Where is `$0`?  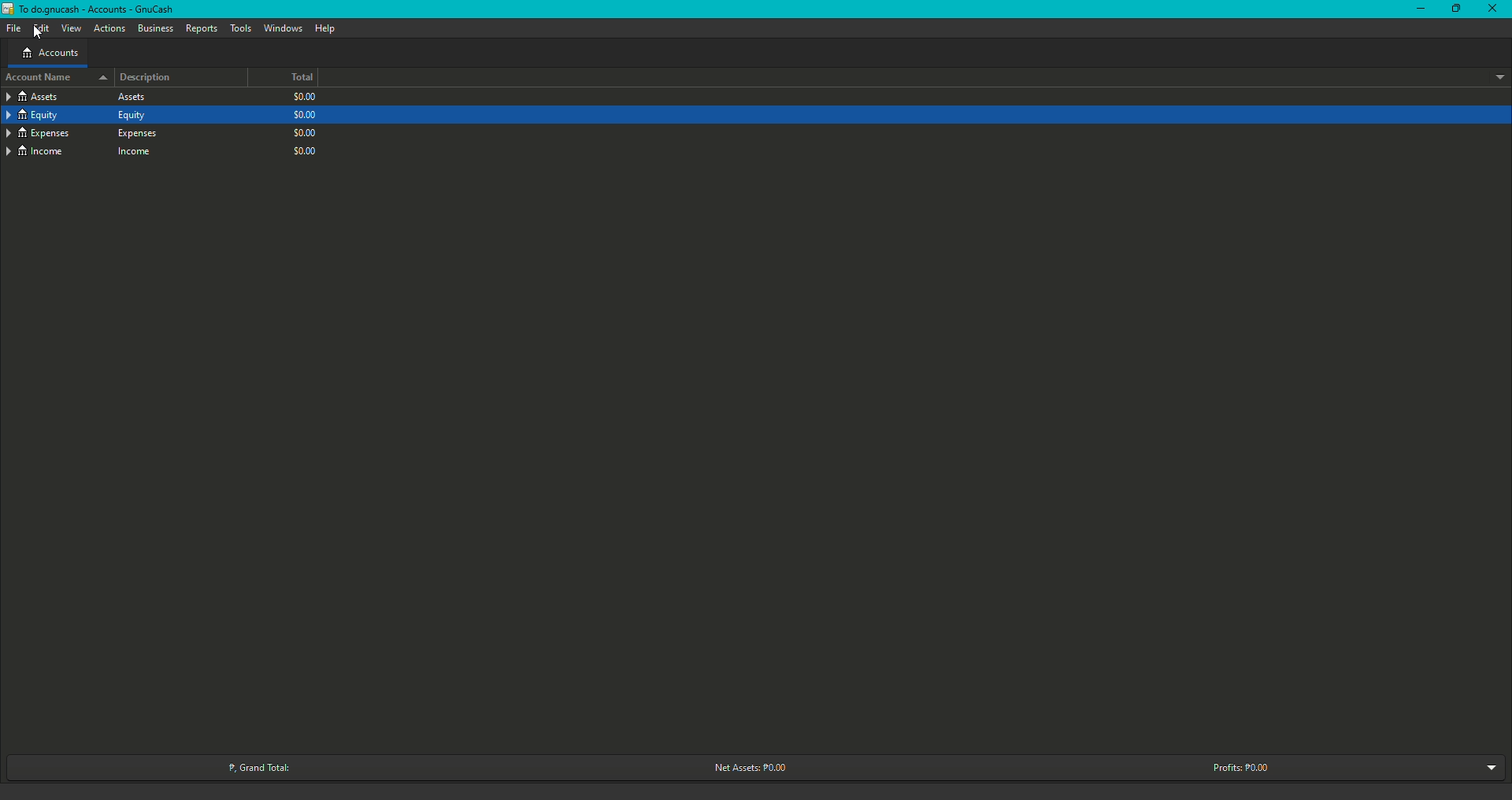 $0 is located at coordinates (308, 150).